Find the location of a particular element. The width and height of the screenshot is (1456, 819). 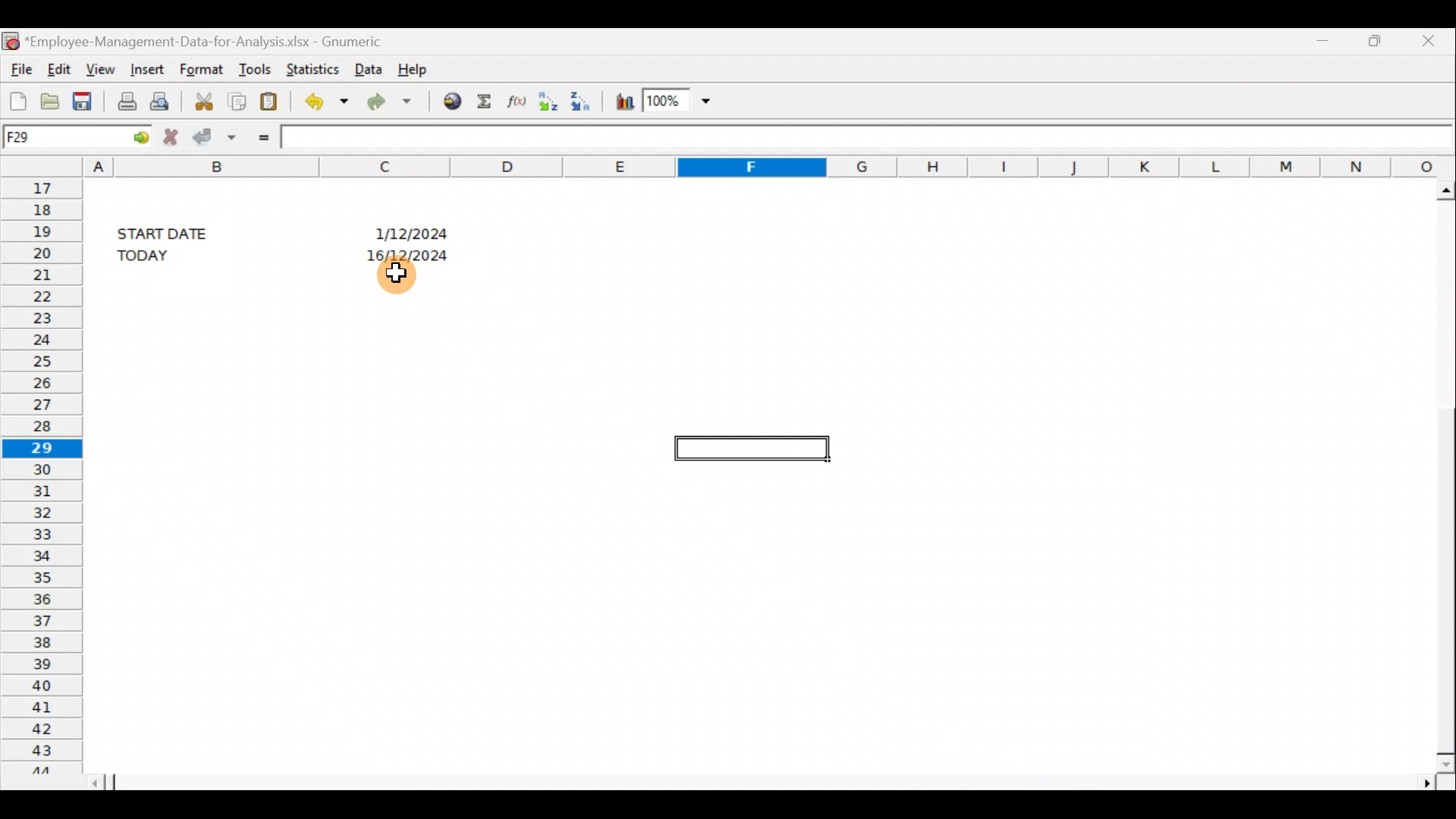

Edit a function in the current cell is located at coordinates (514, 102).